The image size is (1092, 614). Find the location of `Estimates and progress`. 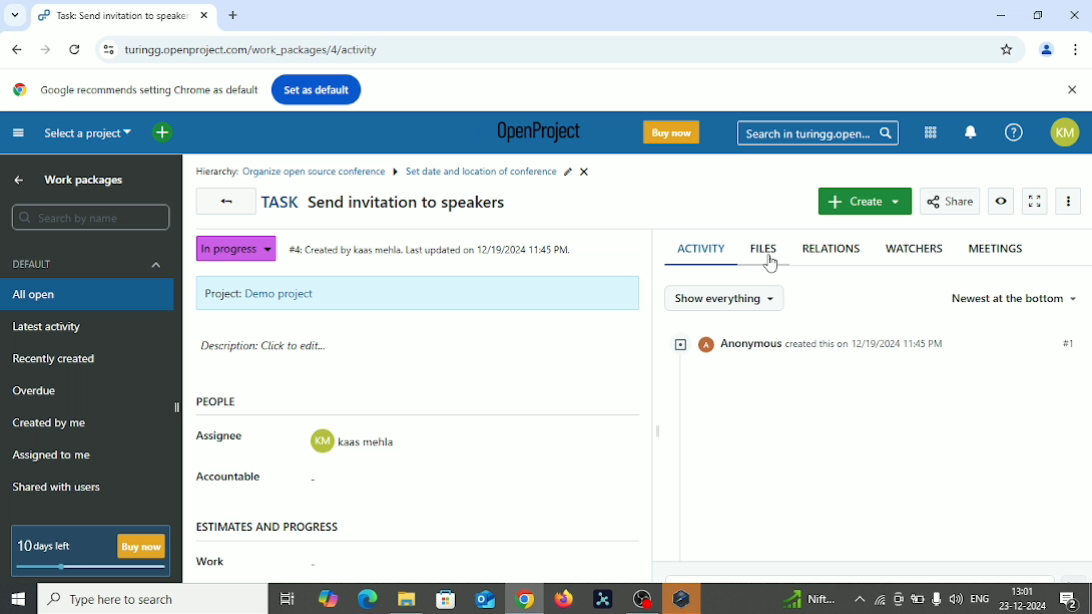

Estimates and progress is located at coordinates (271, 525).